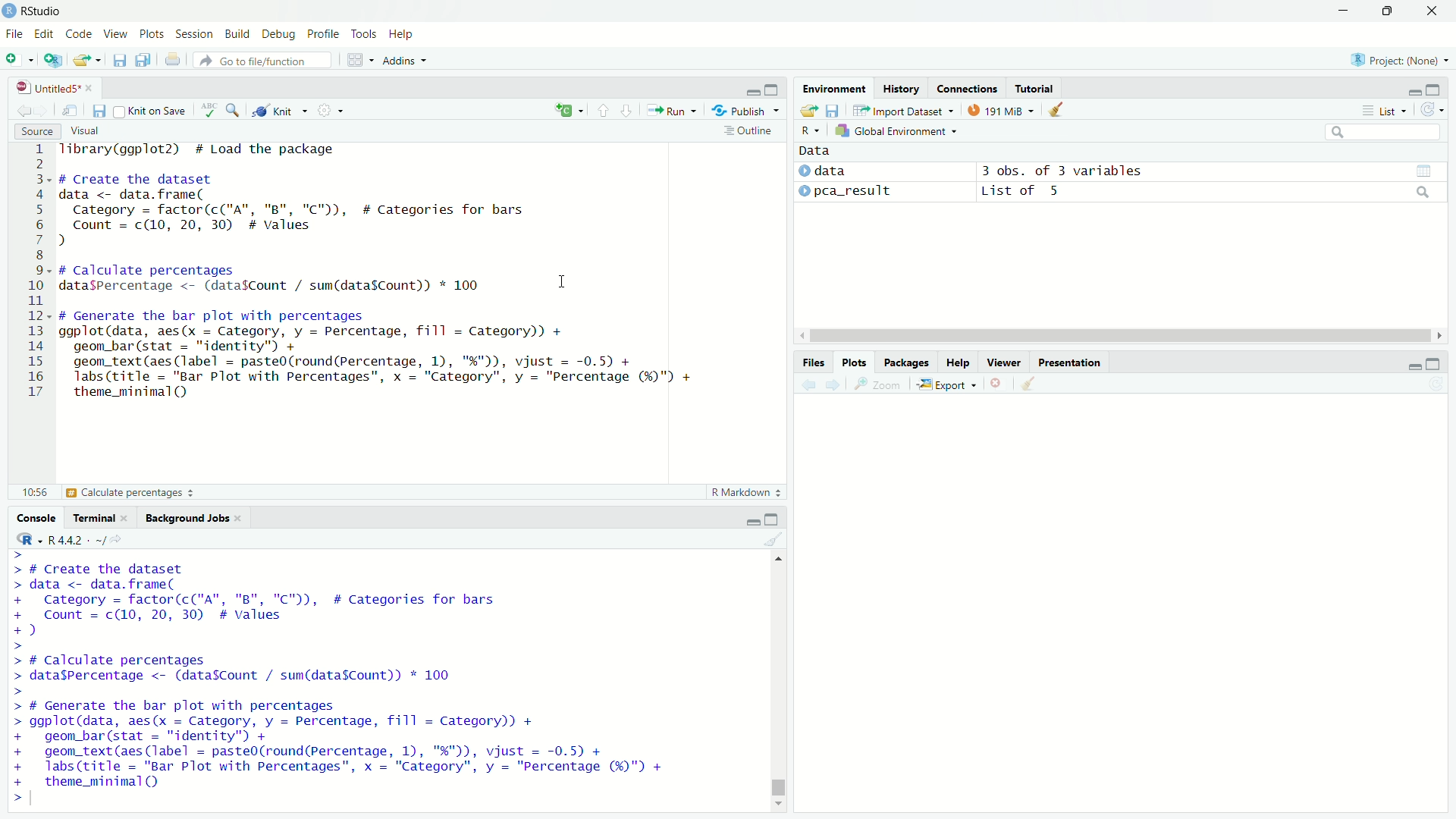 This screenshot has width=1456, height=819. Describe the element at coordinates (325, 35) in the screenshot. I see `profile` at that location.